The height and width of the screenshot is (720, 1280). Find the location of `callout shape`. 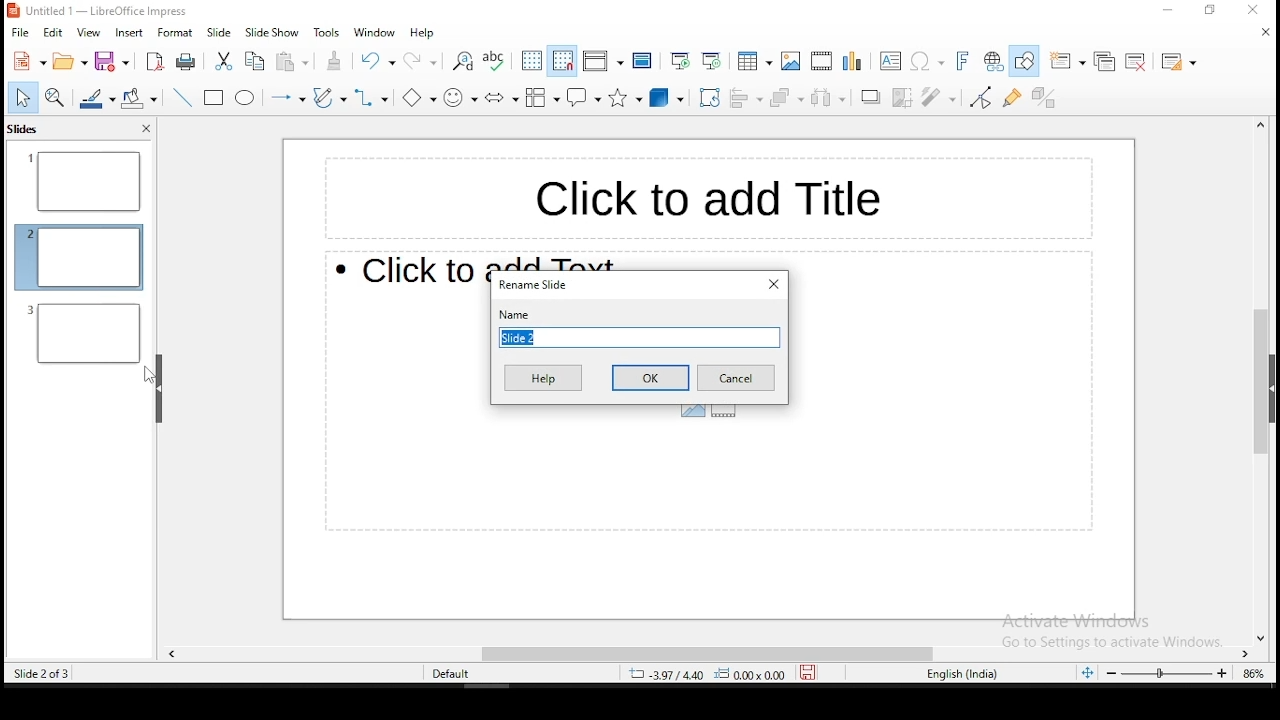

callout shape is located at coordinates (584, 97).